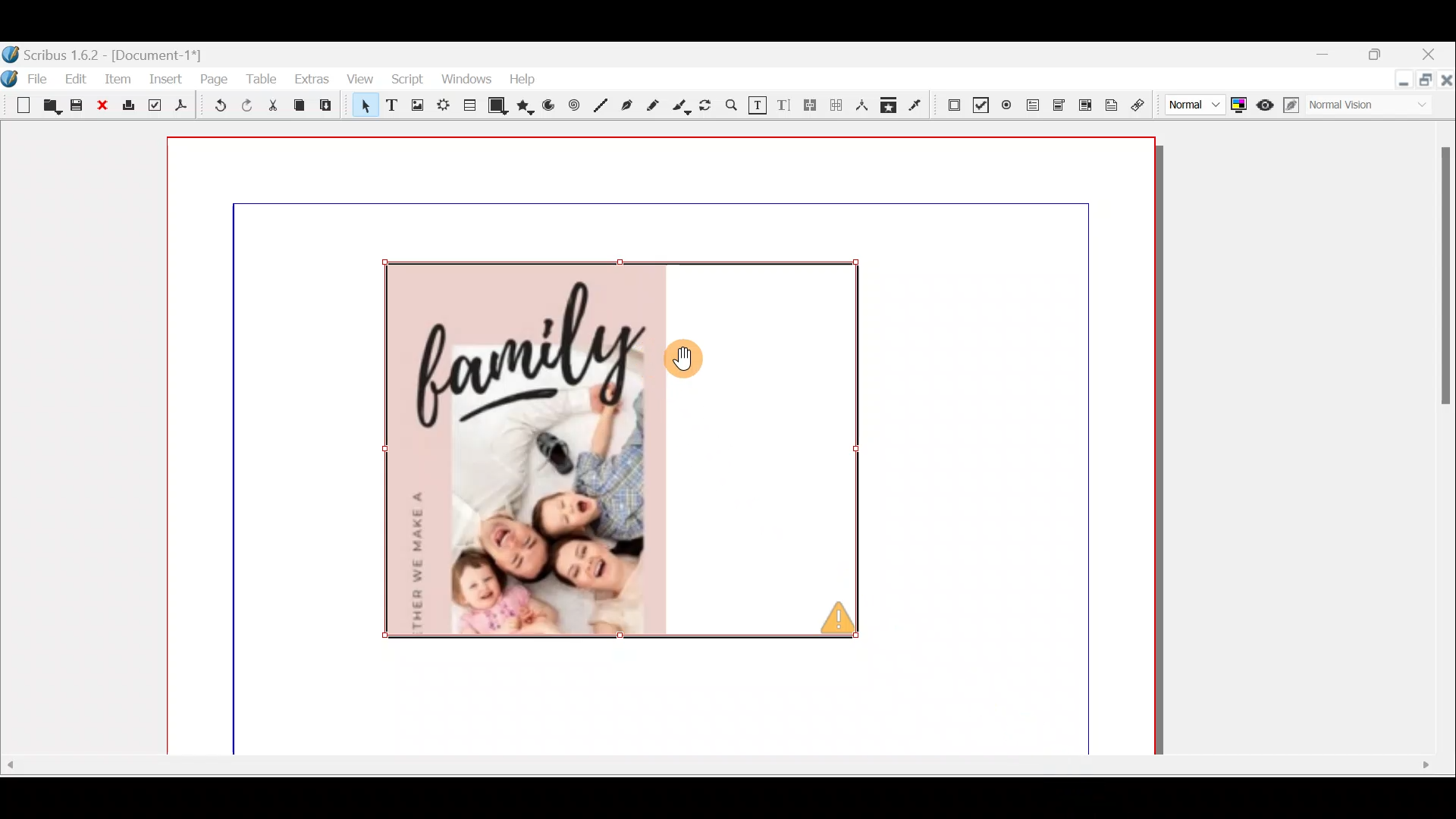  Describe the element at coordinates (888, 105) in the screenshot. I see `Copy item properties` at that location.